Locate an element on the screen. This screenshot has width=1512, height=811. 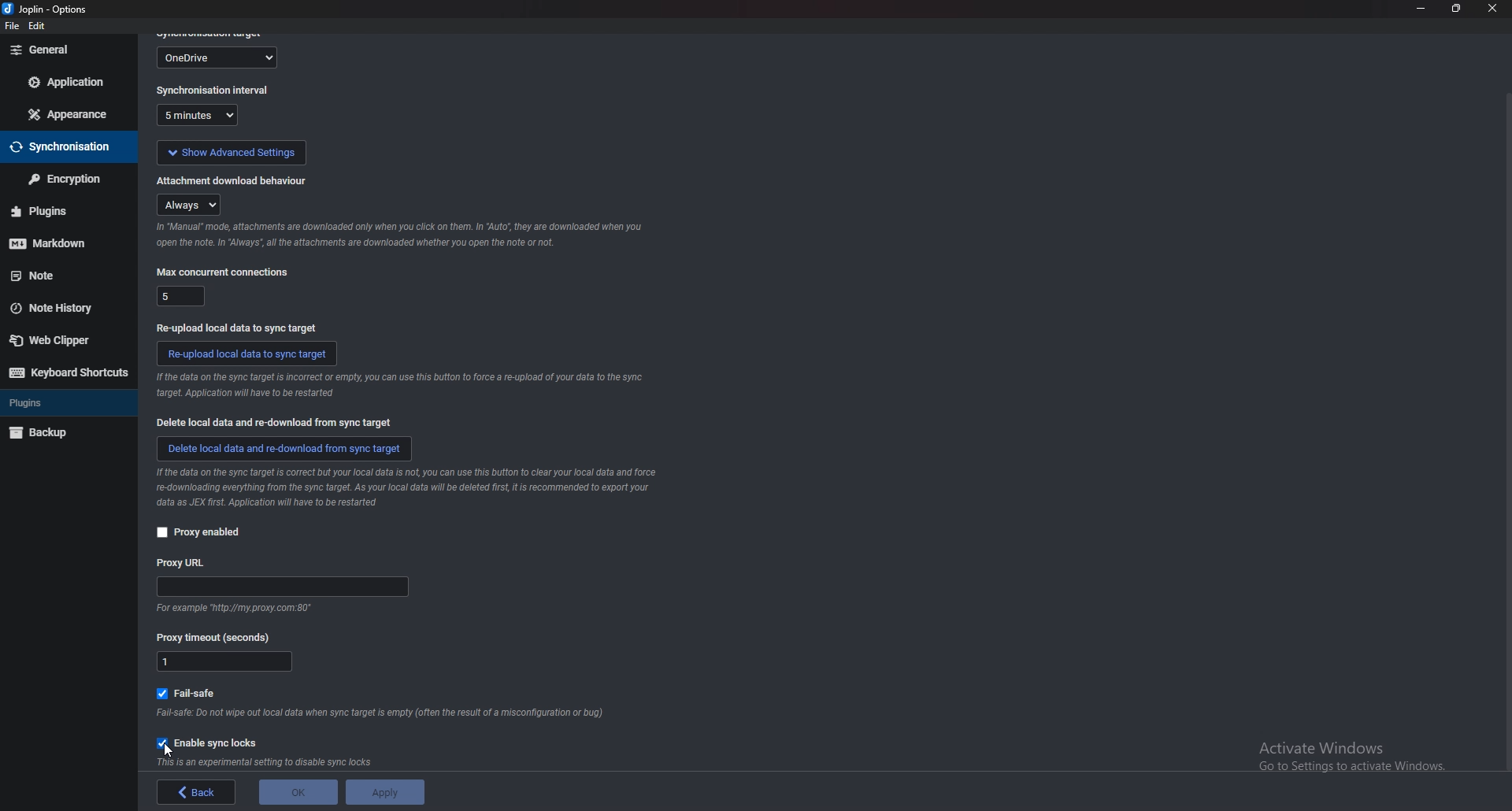
file is located at coordinates (10, 27).